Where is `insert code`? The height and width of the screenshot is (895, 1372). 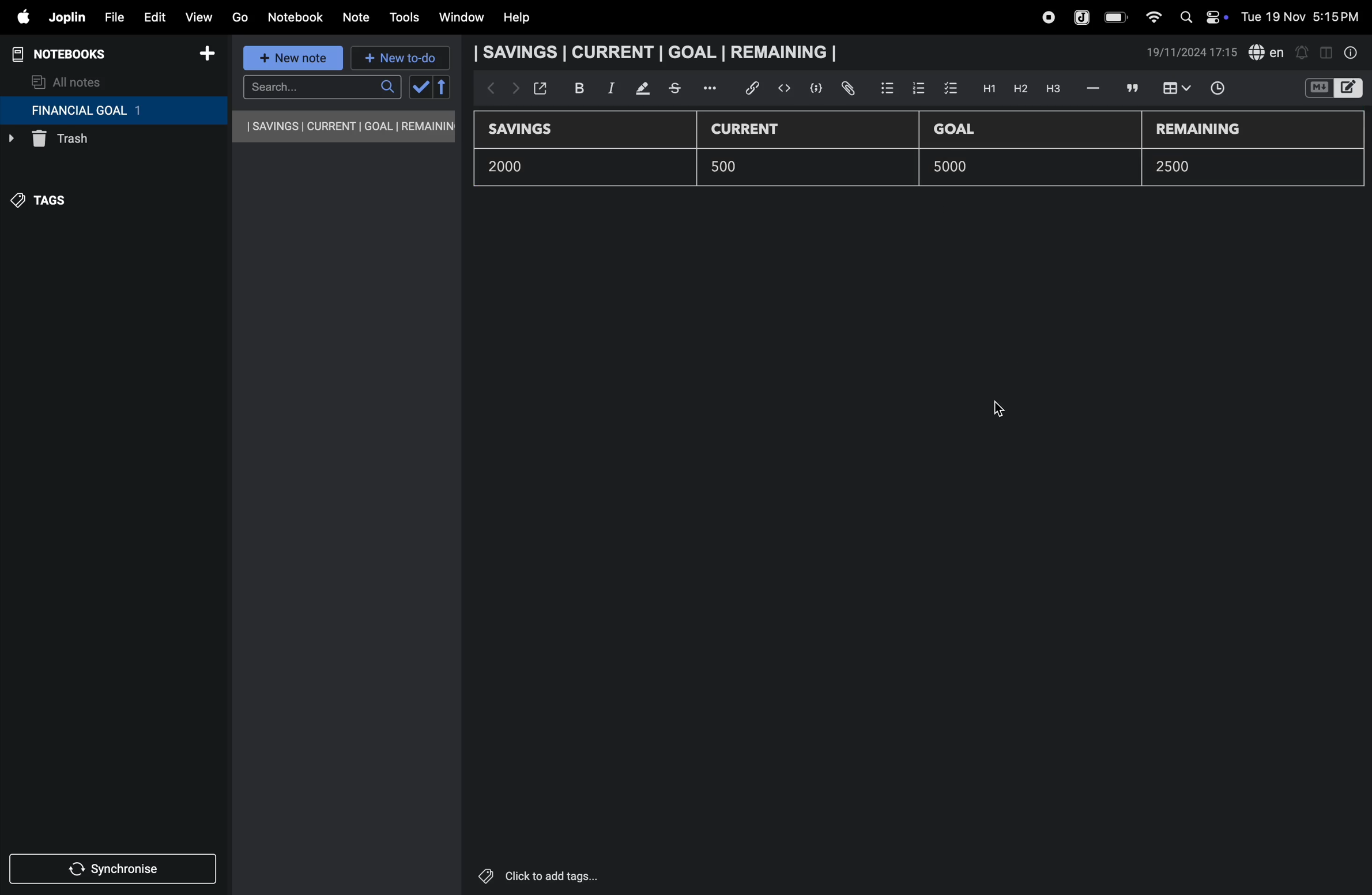 insert code is located at coordinates (785, 88).